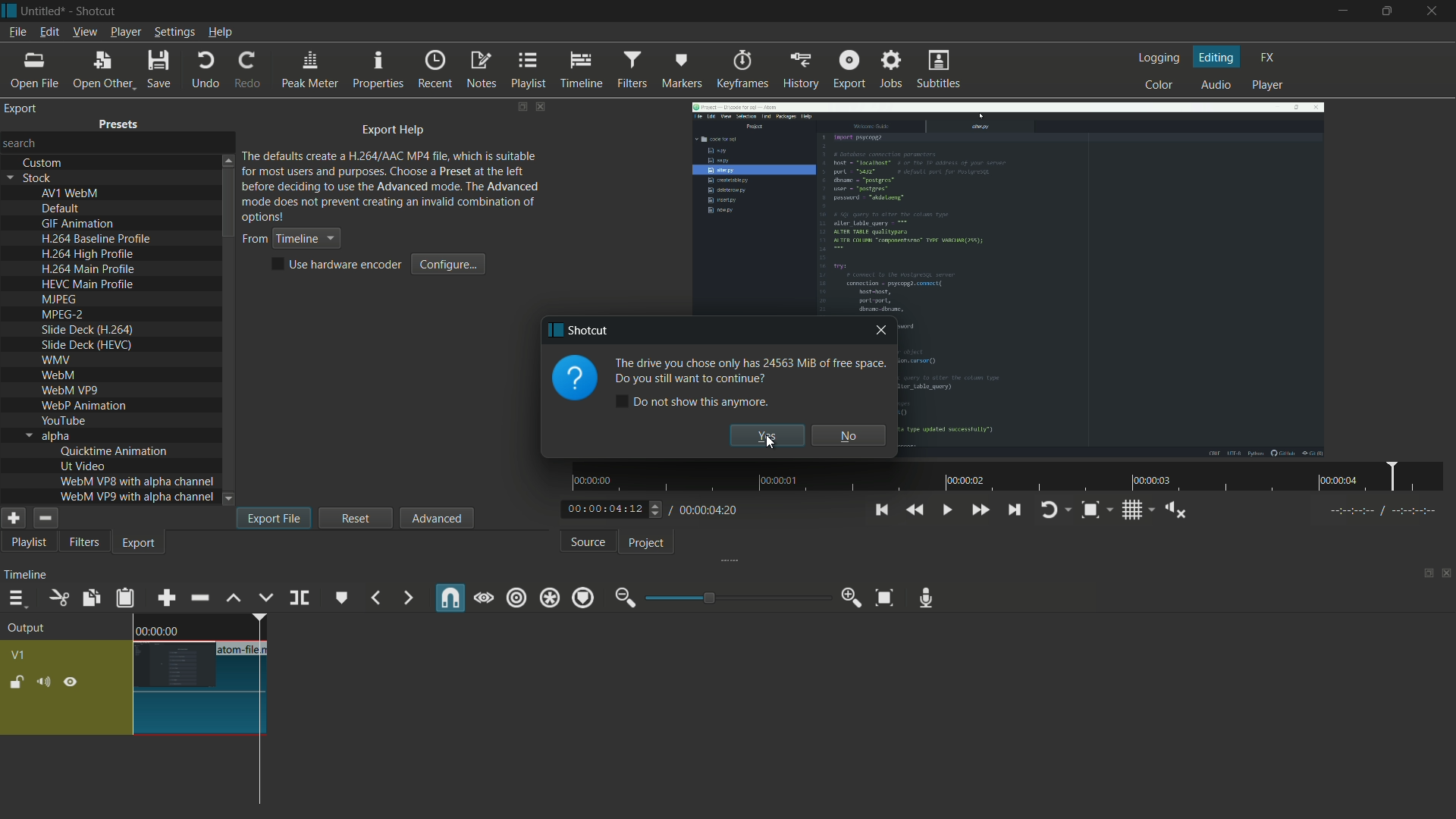 The height and width of the screenshot is (819, 1456). Describe the element at coordinates (743, 70) in the screenshot. I see `keyframes` at that location.